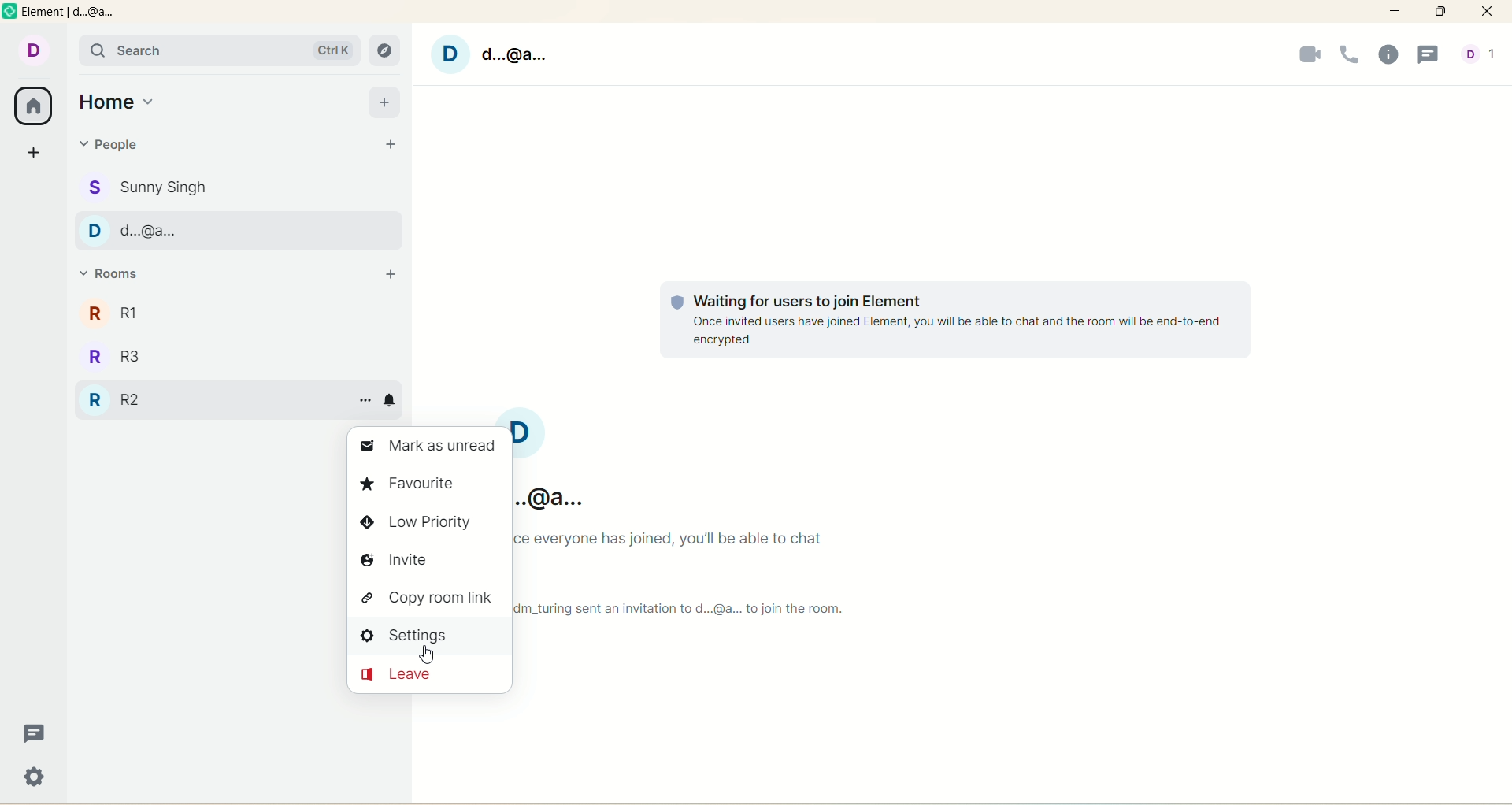 This screenshot has width=1512, height=805. What do you see at coordinates (963, 321) in the screenshot?
I see `text` at bounding box center [963, 321].